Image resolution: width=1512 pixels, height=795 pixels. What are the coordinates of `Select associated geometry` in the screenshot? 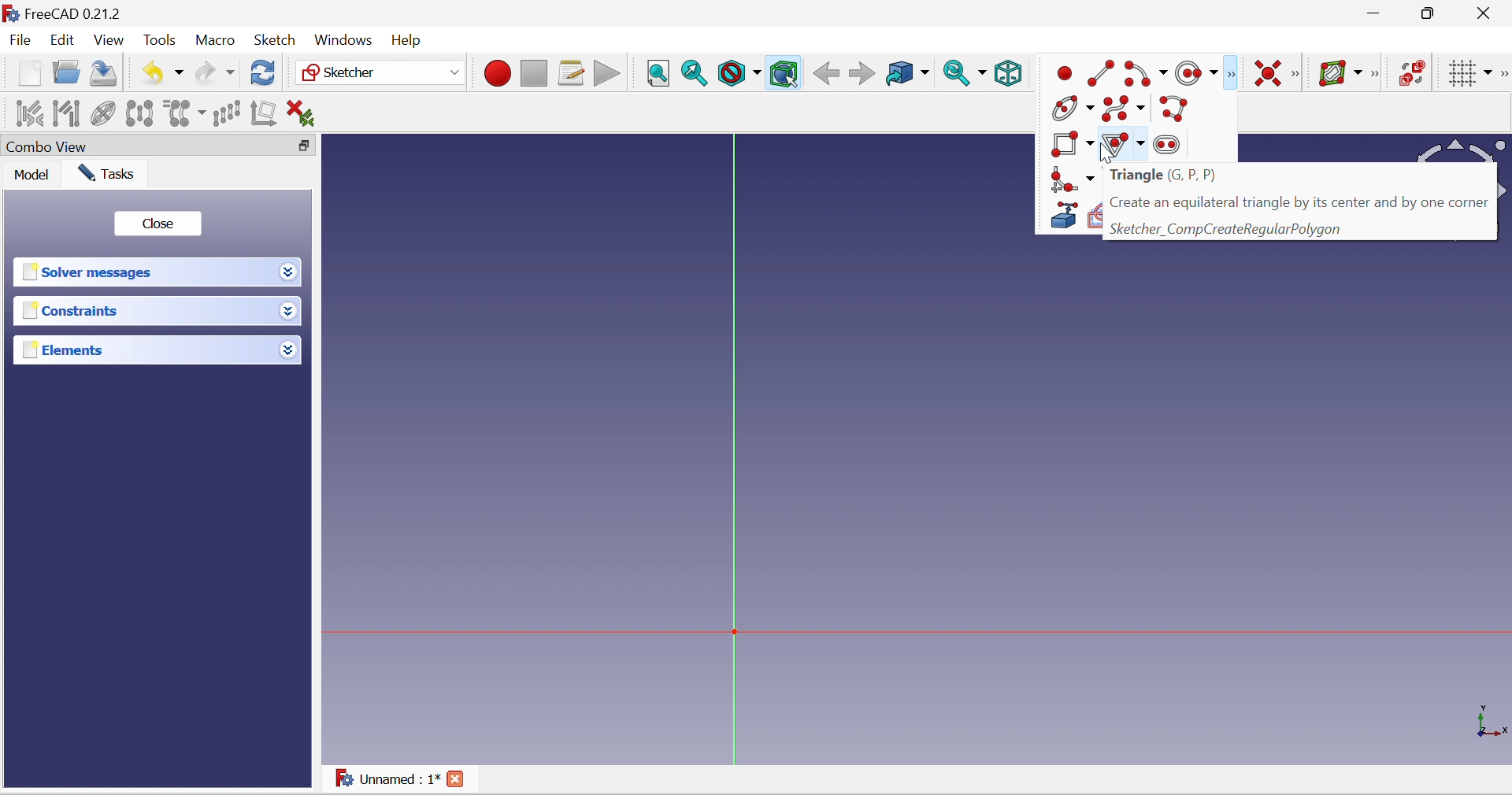 It's located at (66, 113).